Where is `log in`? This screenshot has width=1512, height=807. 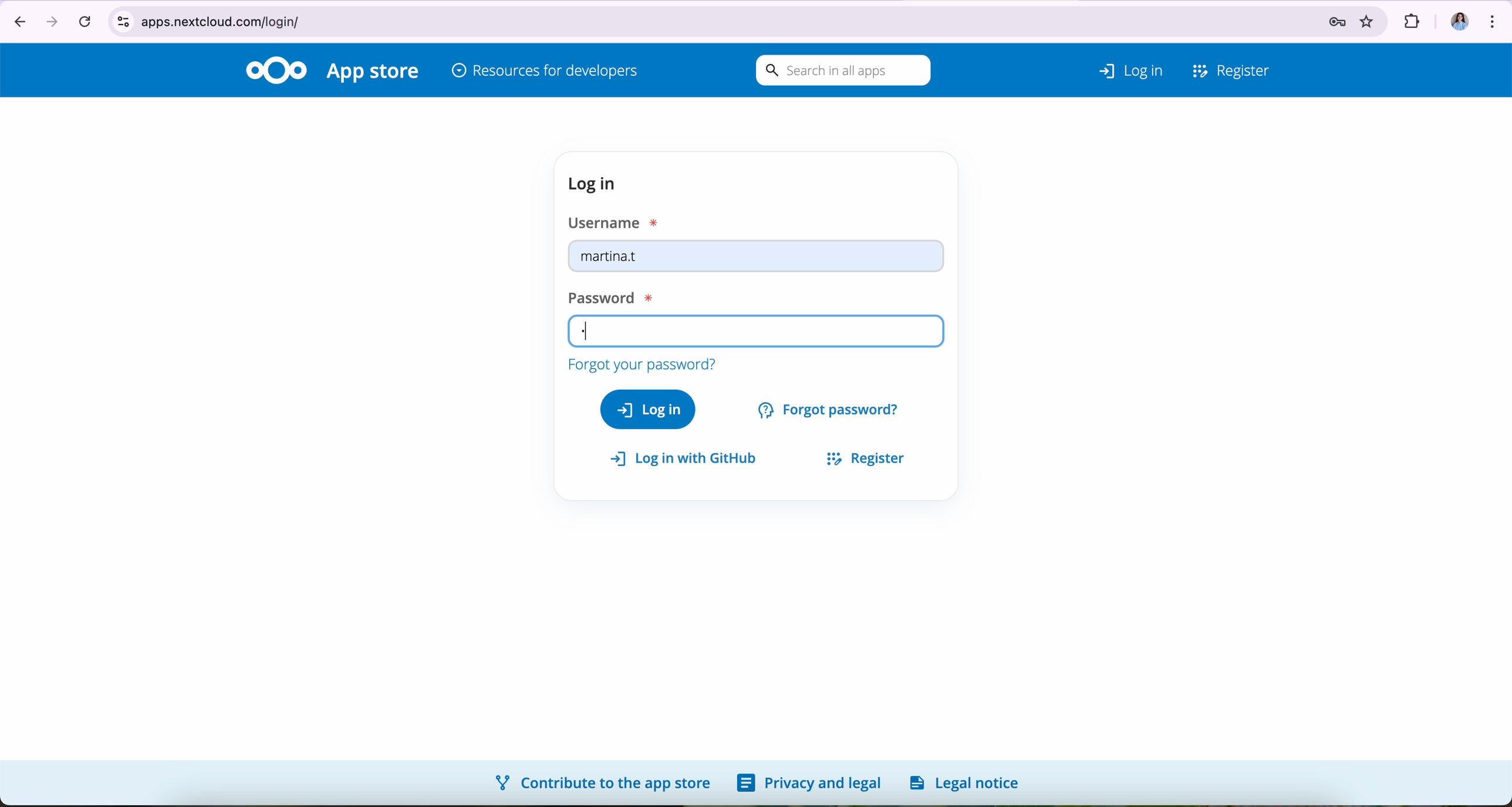 log in is located at coordinates (596, 184).